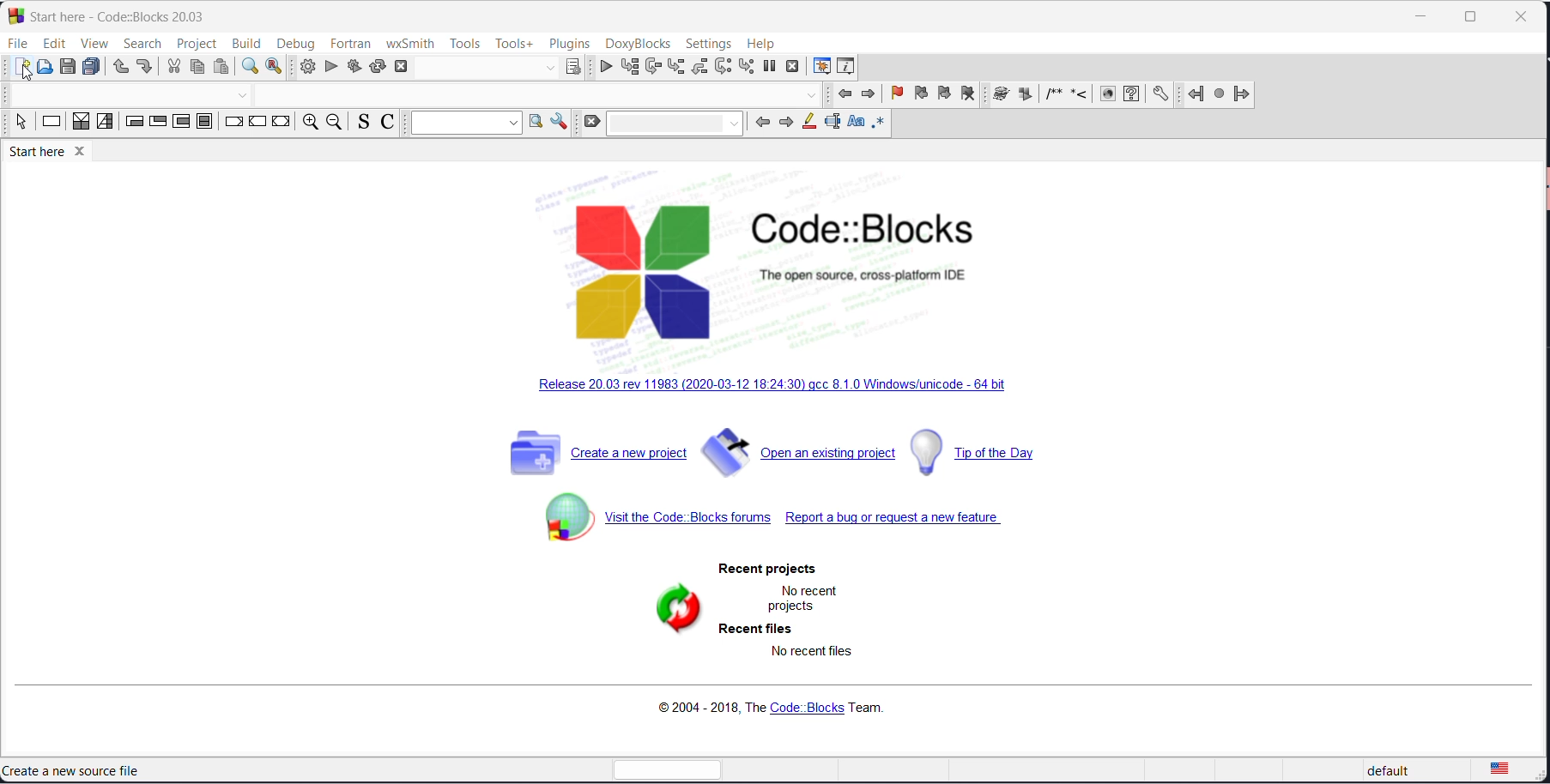 The height and width of the screenshot is (784, 1550). I want to click on refresh, so click(676, 609).